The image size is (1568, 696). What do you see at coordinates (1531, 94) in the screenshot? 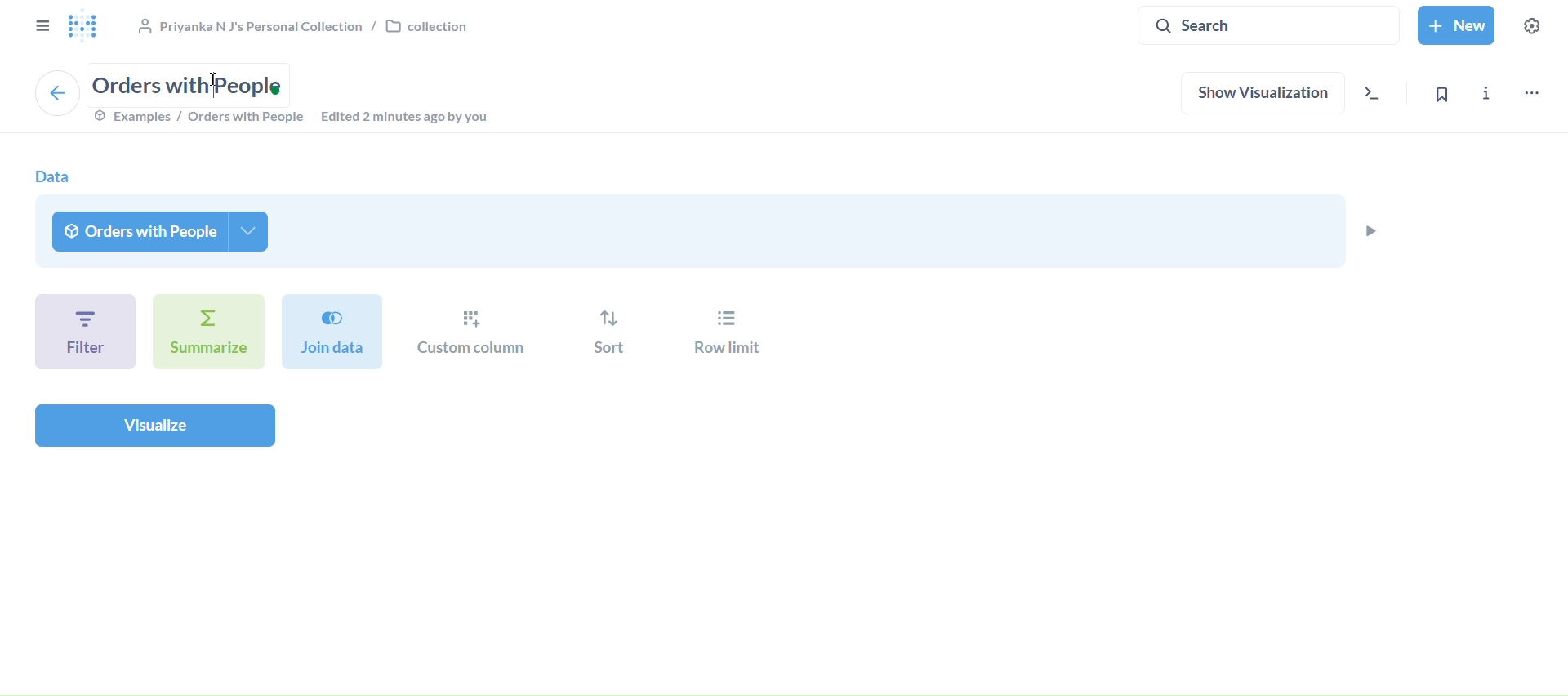
I see `move,trash and more..` at bounding box center [1531, 94].